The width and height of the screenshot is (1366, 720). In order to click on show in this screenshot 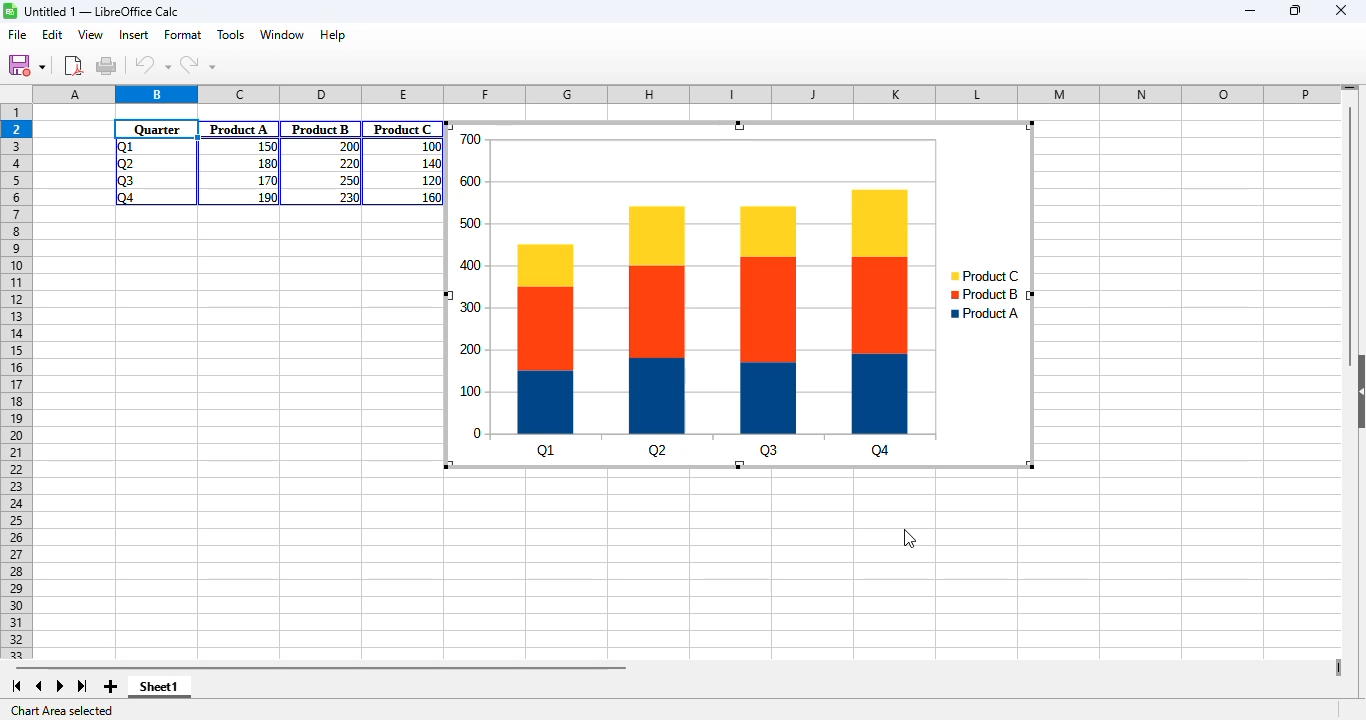, I will do `click(1357, 392)`.